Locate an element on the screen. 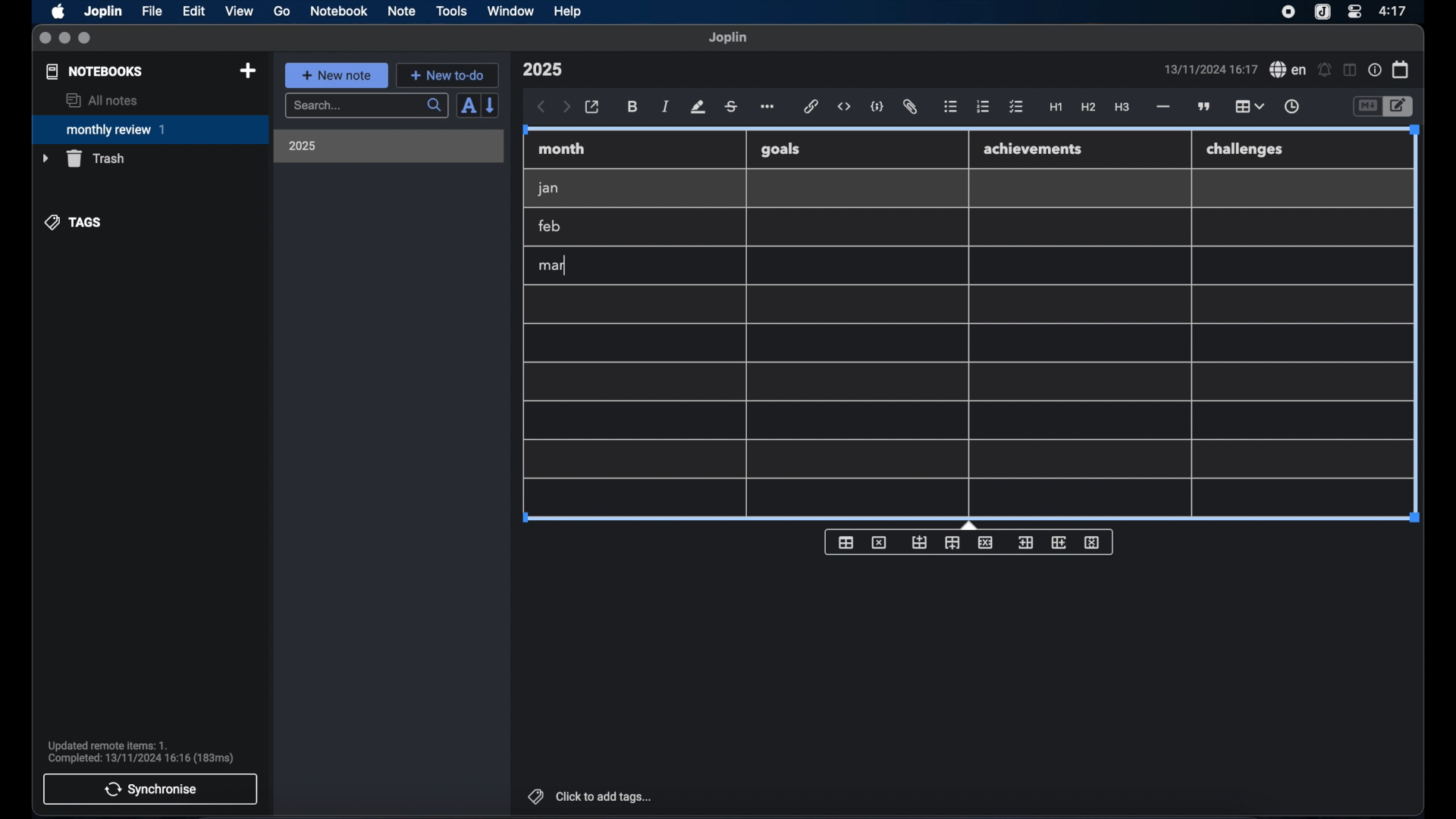  file is located at coordinates (152, 11).